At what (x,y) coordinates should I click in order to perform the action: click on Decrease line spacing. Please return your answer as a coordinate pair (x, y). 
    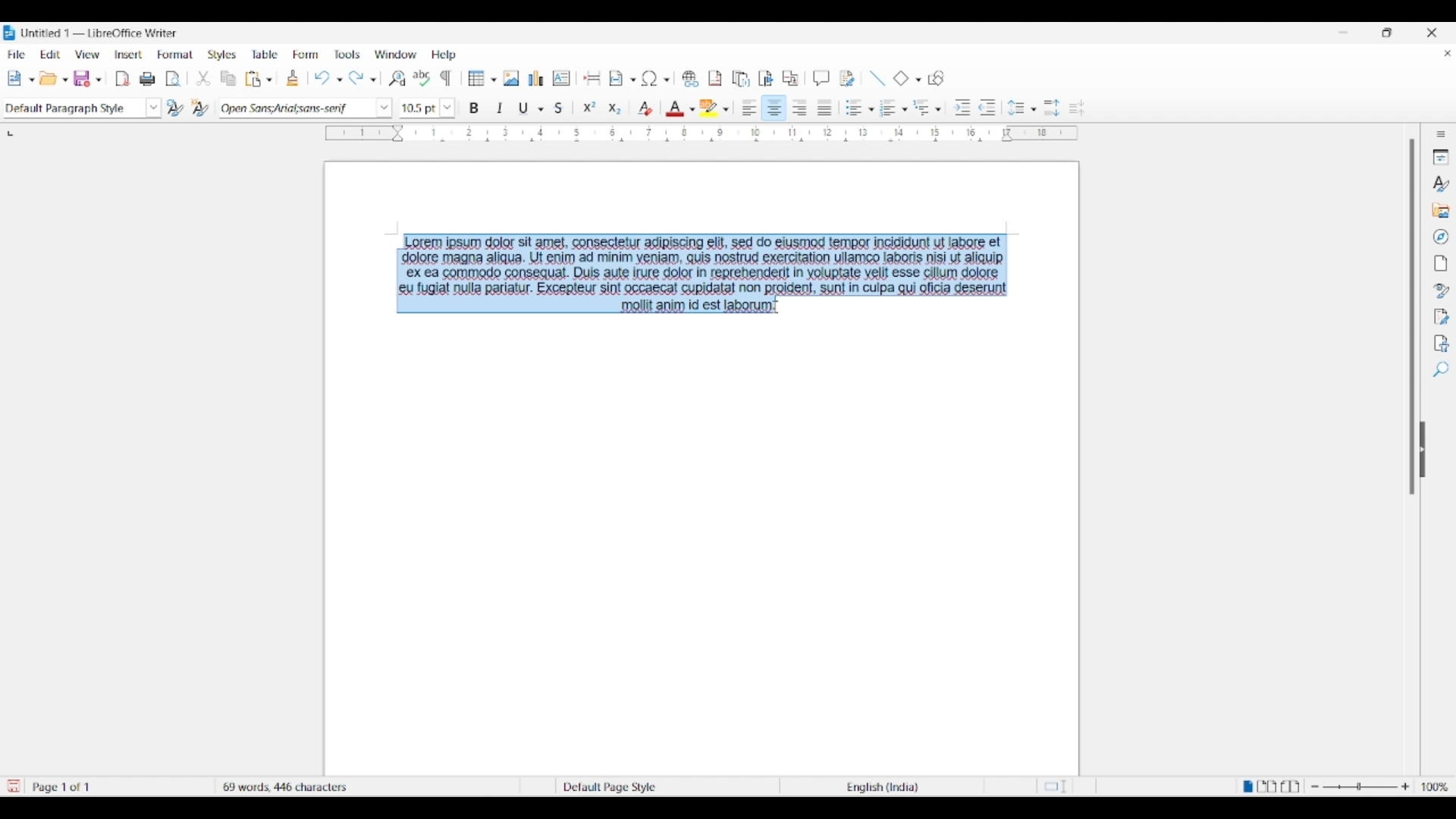
    Looking at the image, I should click on (1077, 108).